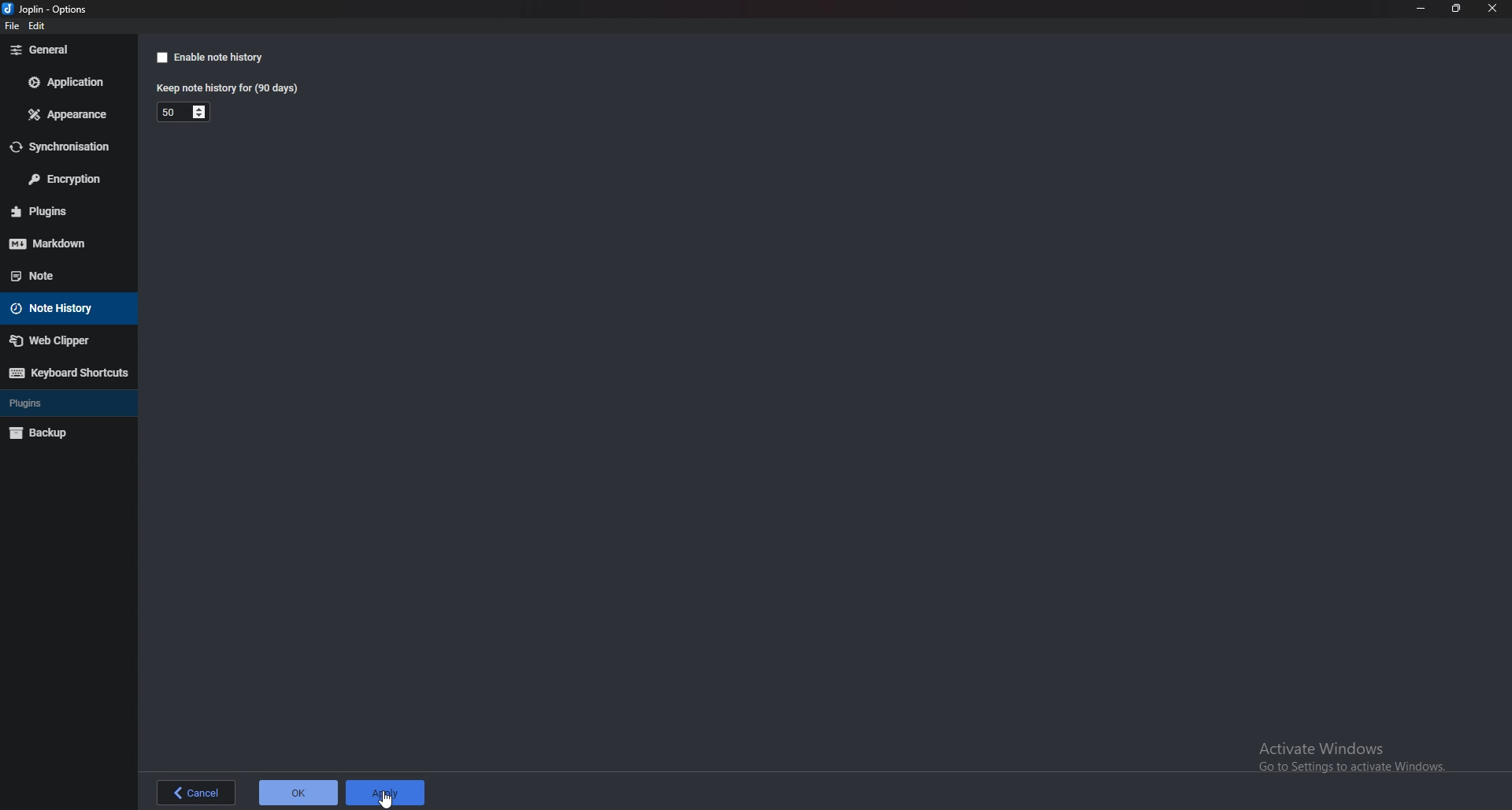 The image size is (1512, 810). I want to click on Appearance, so click(69, 115).